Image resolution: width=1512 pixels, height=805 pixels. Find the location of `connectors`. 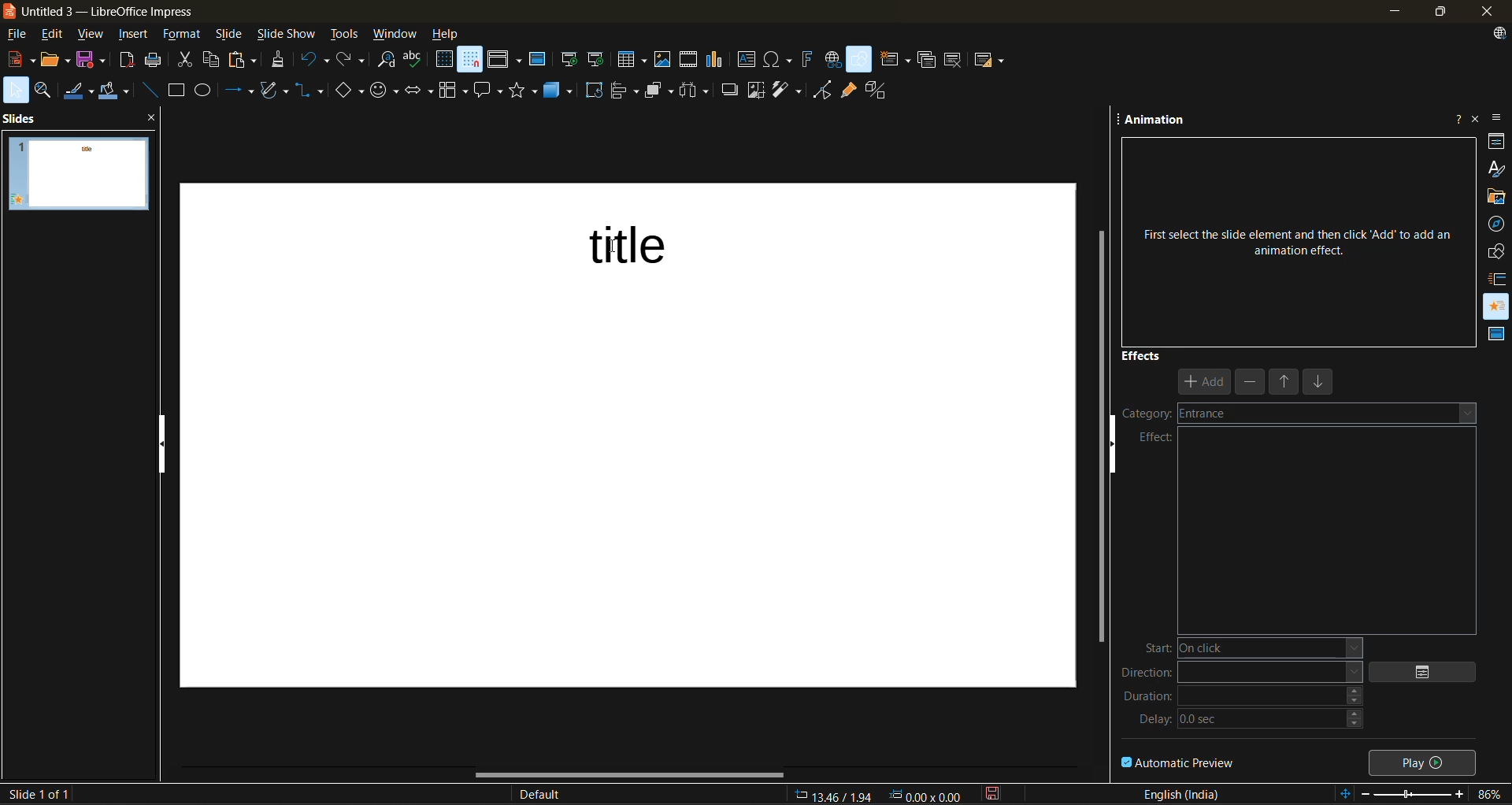

connectors is located at coordinates (309, 91).